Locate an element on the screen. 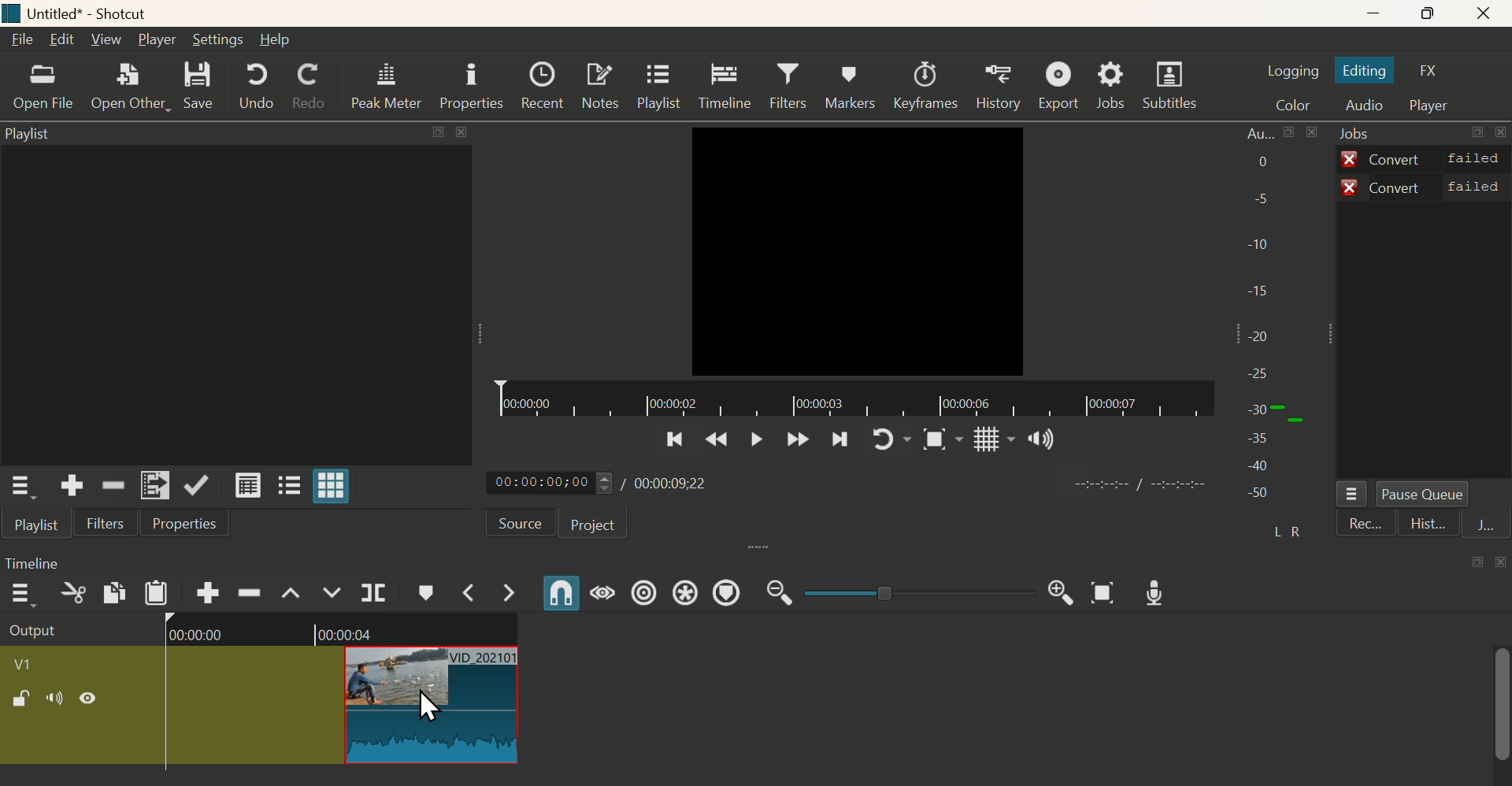 This screenshot has width=1512, height=786. Convert is located at coordinates (1423, 158).